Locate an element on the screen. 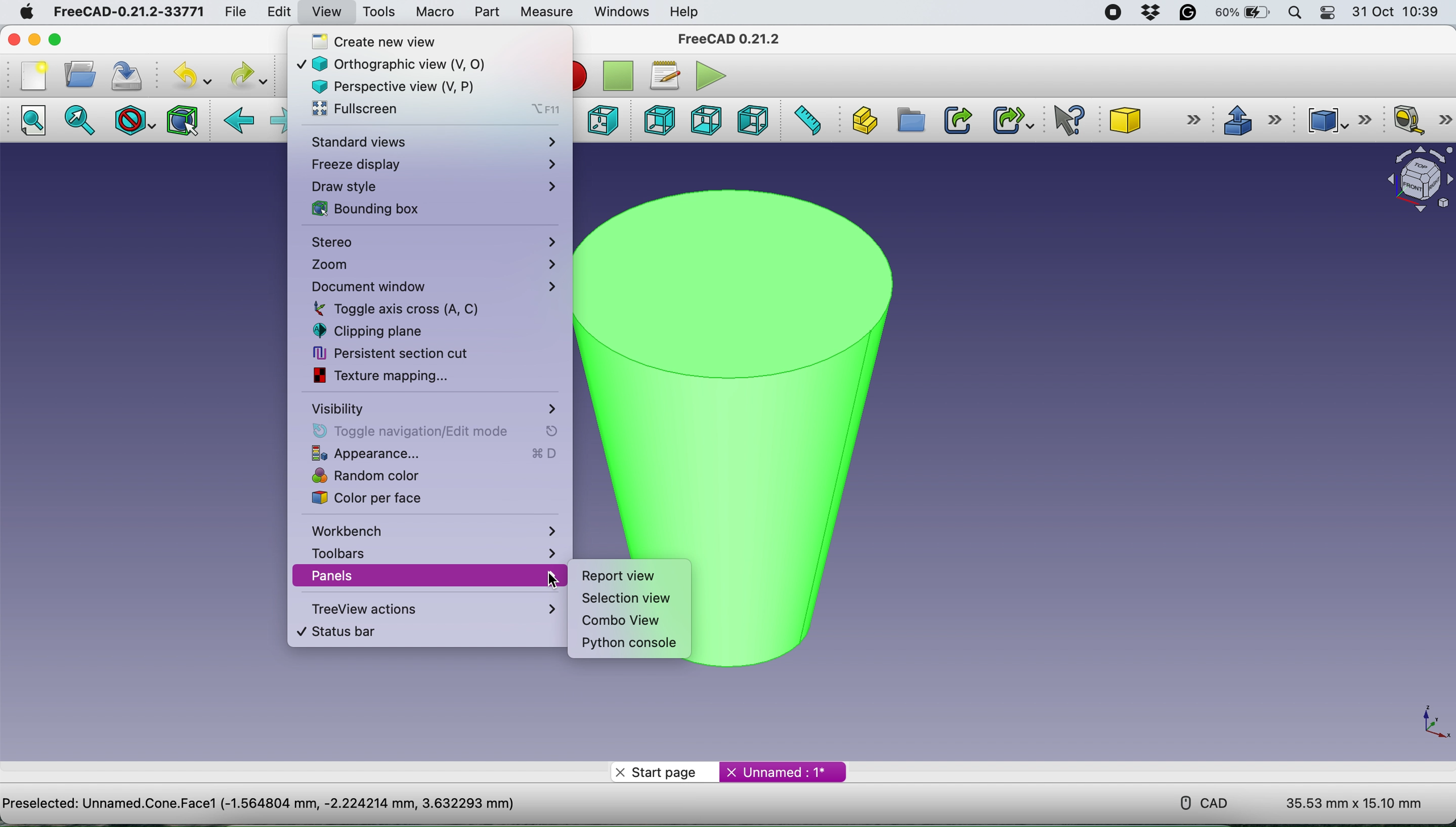 This screenshot has height=827, width=1456. zoom is located at coordinates (432, 265).